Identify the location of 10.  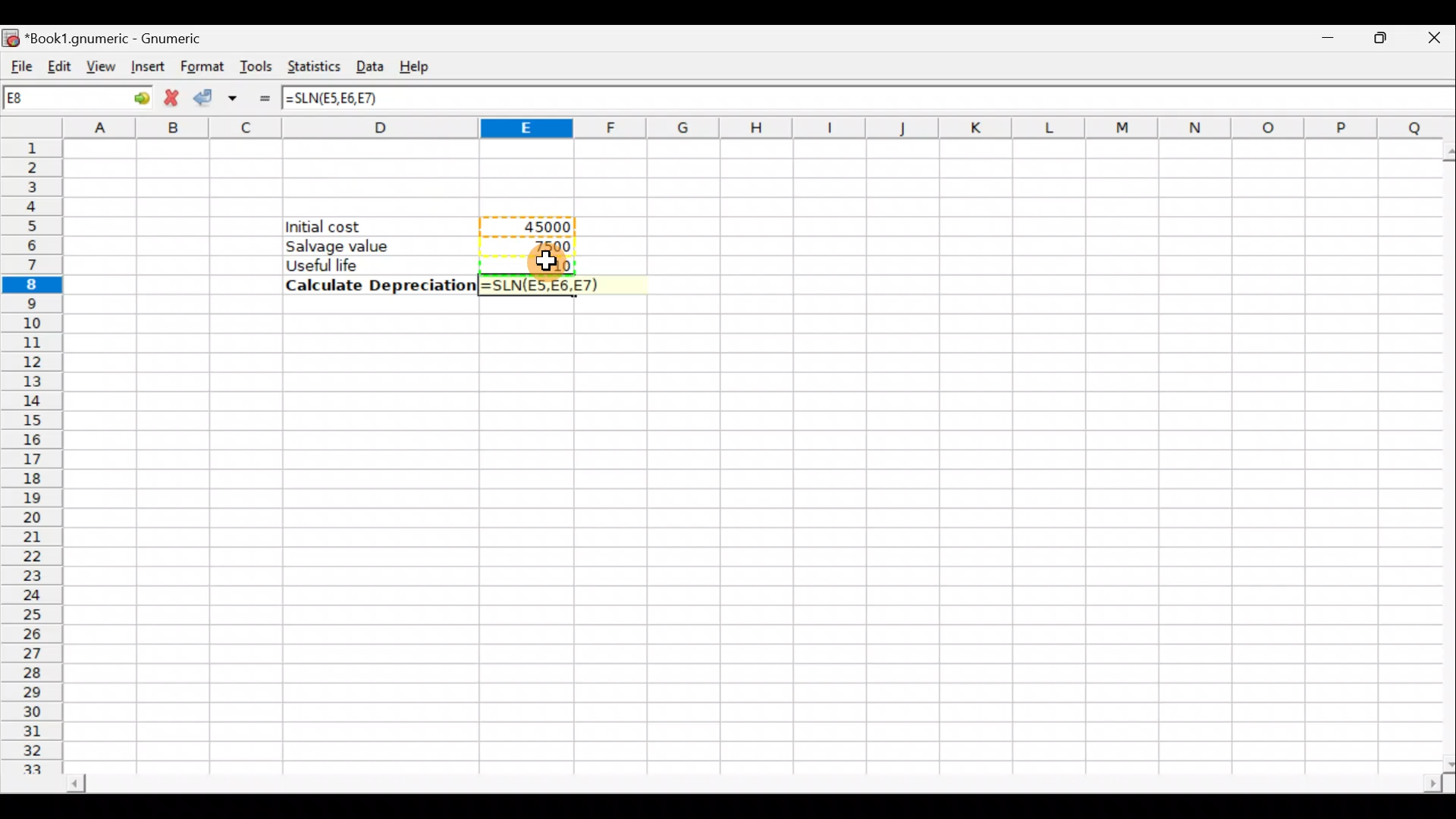
(557, 264).